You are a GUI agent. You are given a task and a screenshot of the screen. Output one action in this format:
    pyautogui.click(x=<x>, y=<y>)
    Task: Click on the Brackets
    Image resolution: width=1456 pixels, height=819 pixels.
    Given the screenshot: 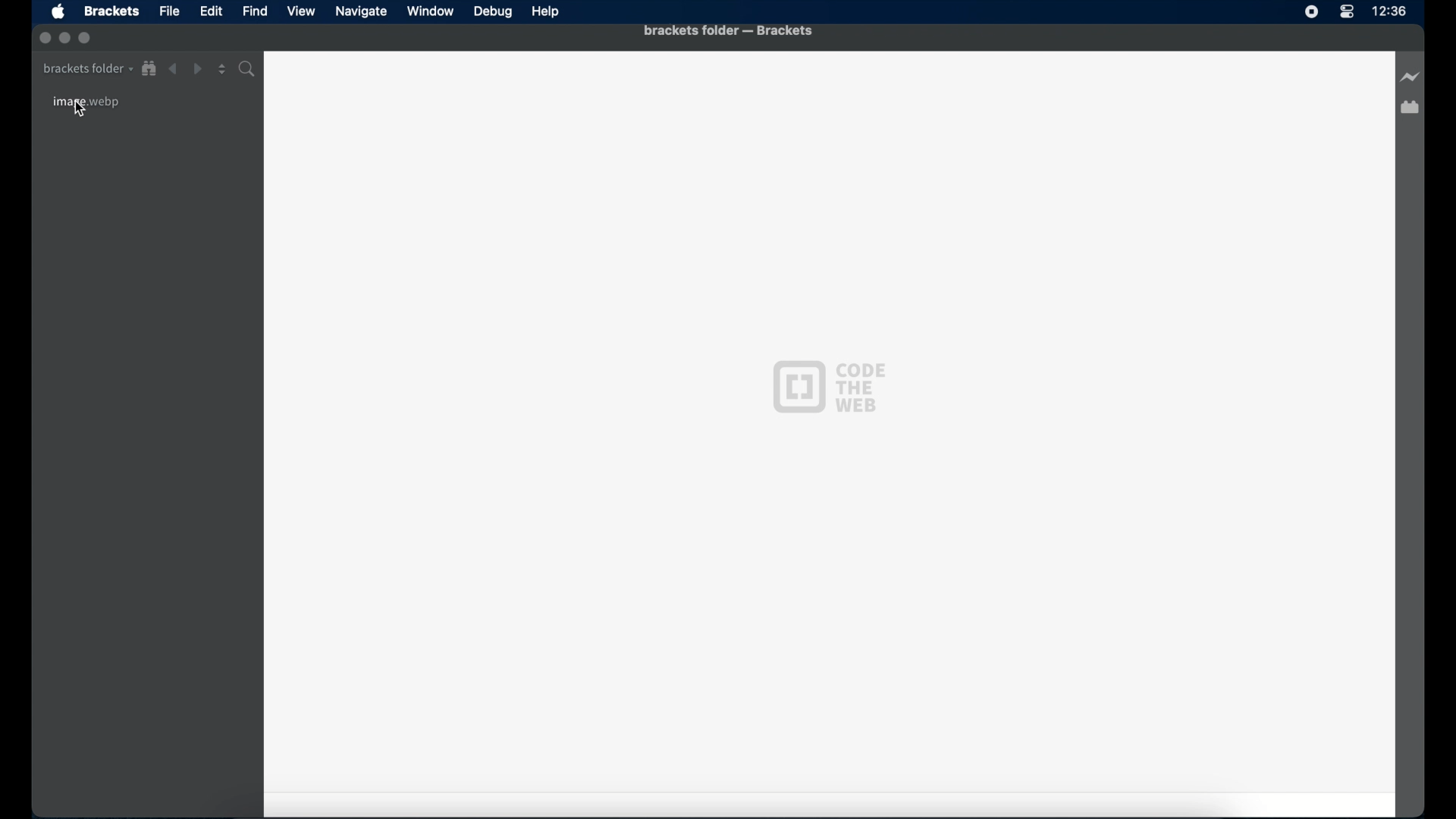 What is the action you would take?
    pyautogui.click(x=111, y=11)
    